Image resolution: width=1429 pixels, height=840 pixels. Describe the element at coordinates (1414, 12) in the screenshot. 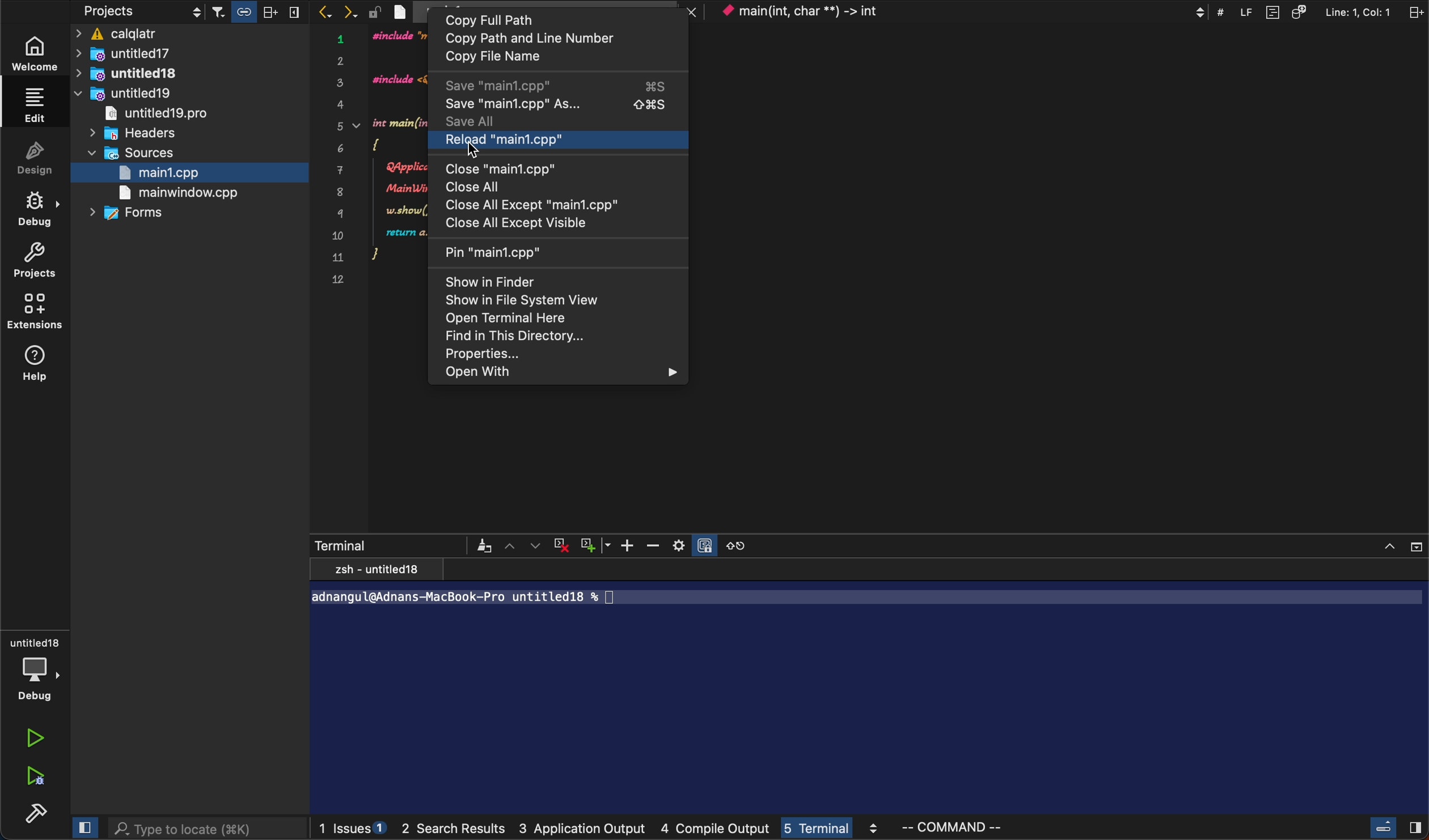

I see `split` at that location.